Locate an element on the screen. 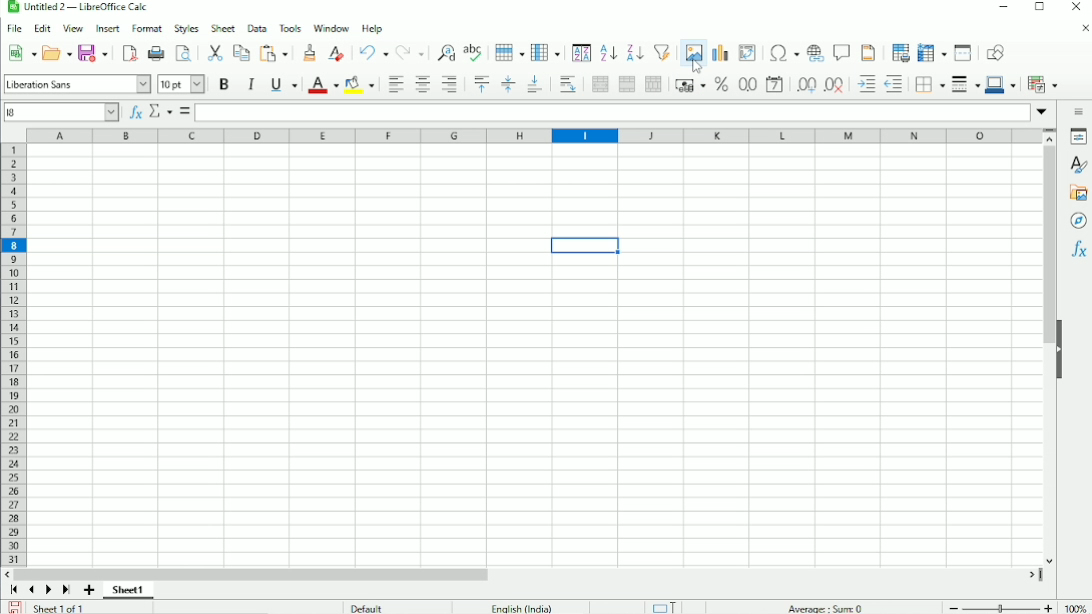 The height and width of the screenshot is (614, 1092). Autofilter is located at coordinates (661, 51).